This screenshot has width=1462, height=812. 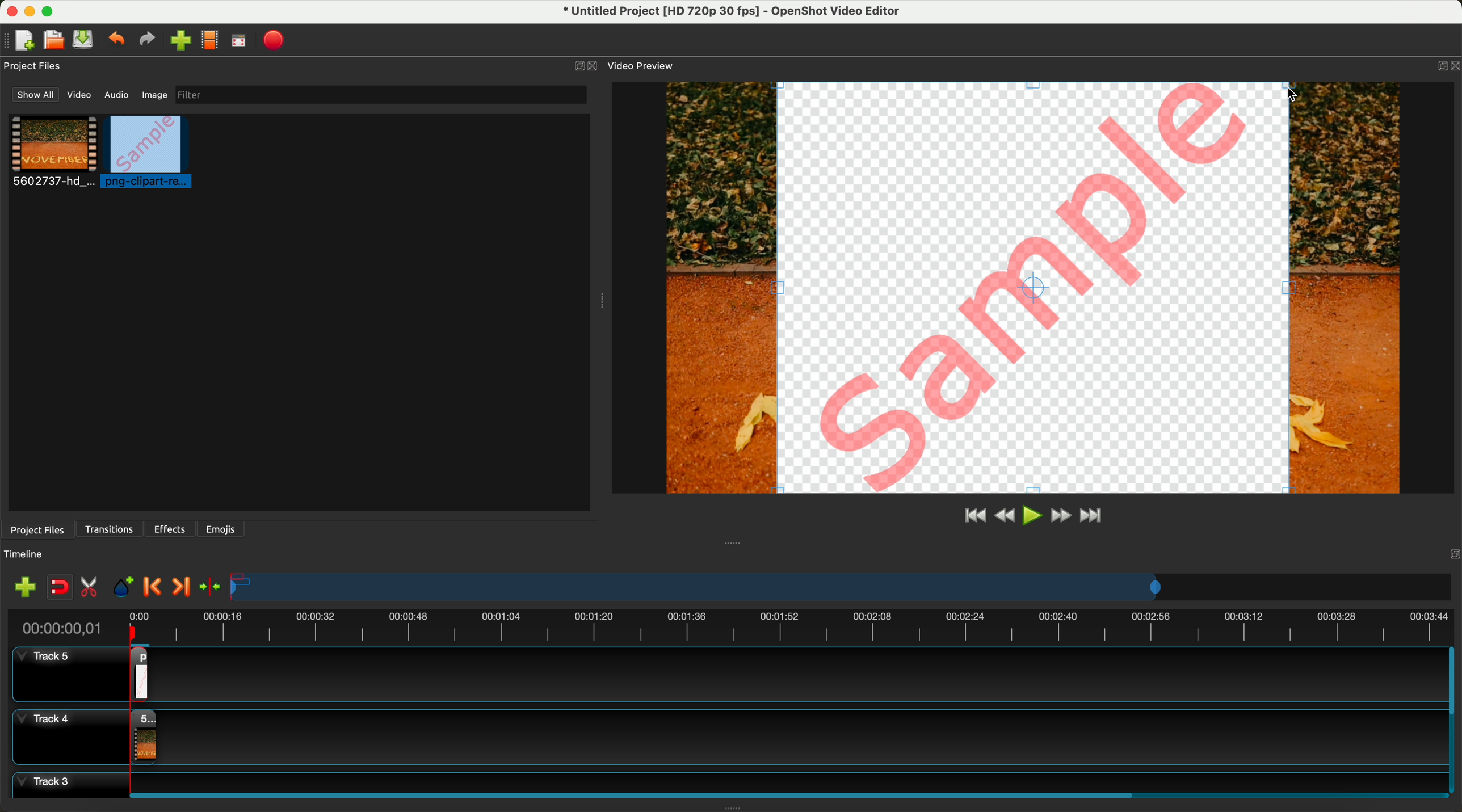 I want to click on file name, so click(x=725, y=13).